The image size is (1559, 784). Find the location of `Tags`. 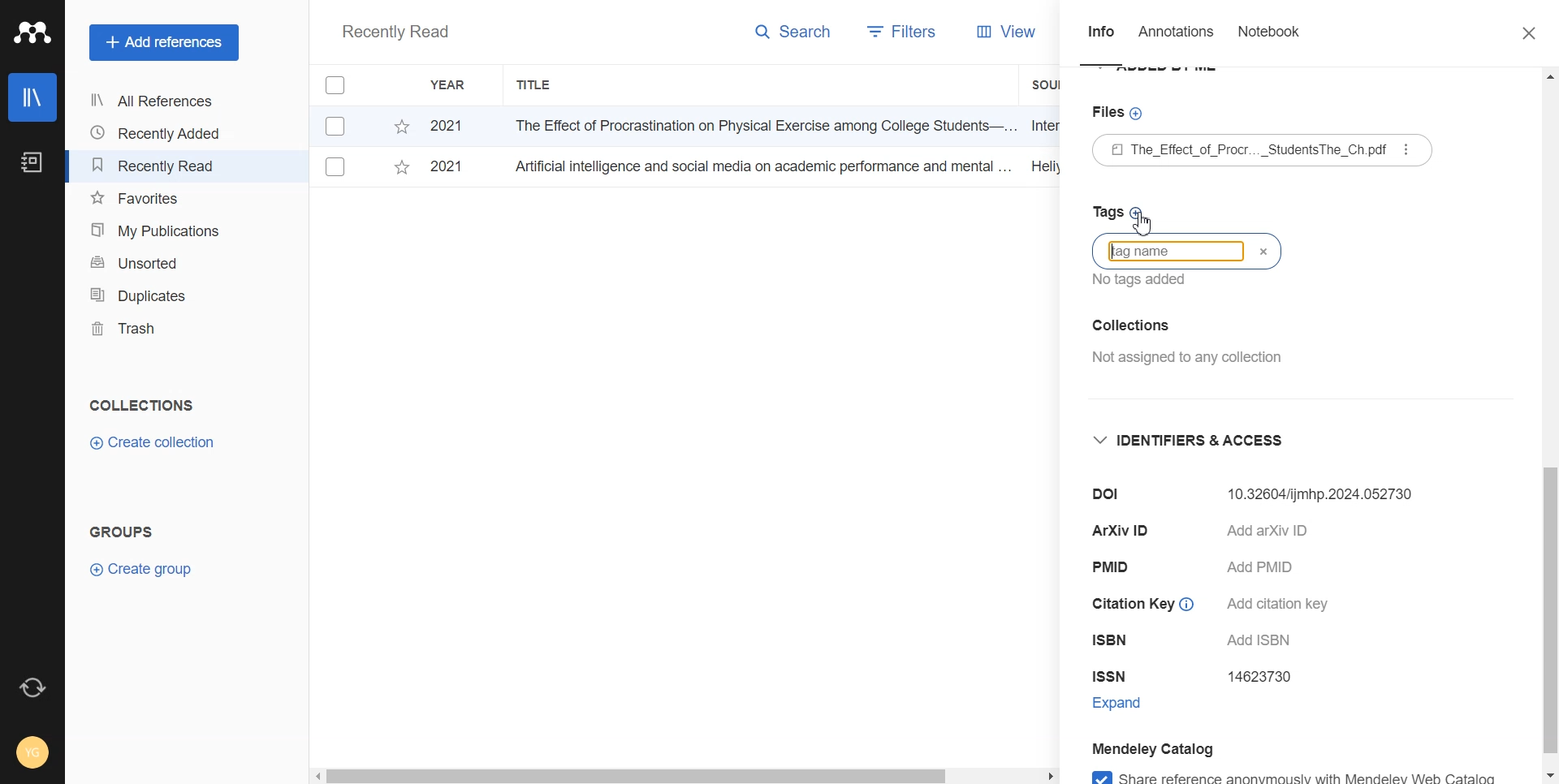

Tags is located at coordinates (1120, 211).